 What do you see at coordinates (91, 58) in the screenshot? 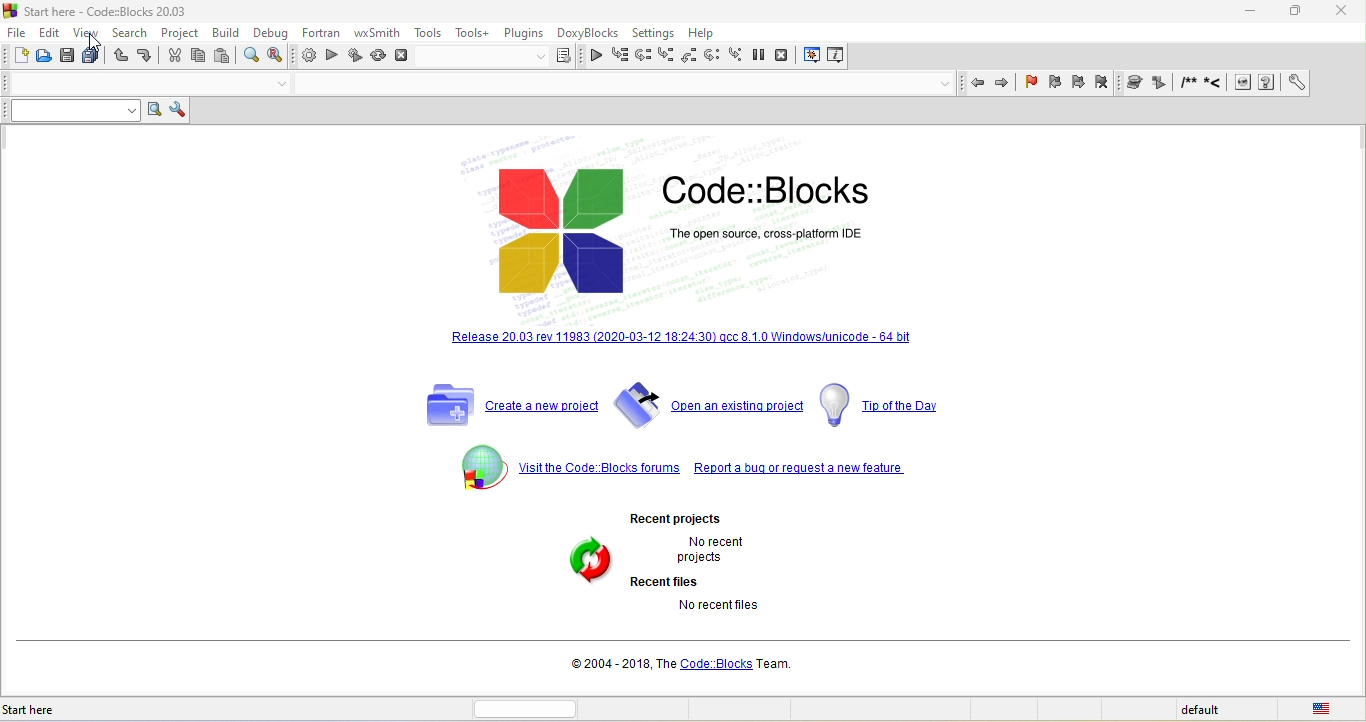
I see `save everything` at bounding box center [91, 58].